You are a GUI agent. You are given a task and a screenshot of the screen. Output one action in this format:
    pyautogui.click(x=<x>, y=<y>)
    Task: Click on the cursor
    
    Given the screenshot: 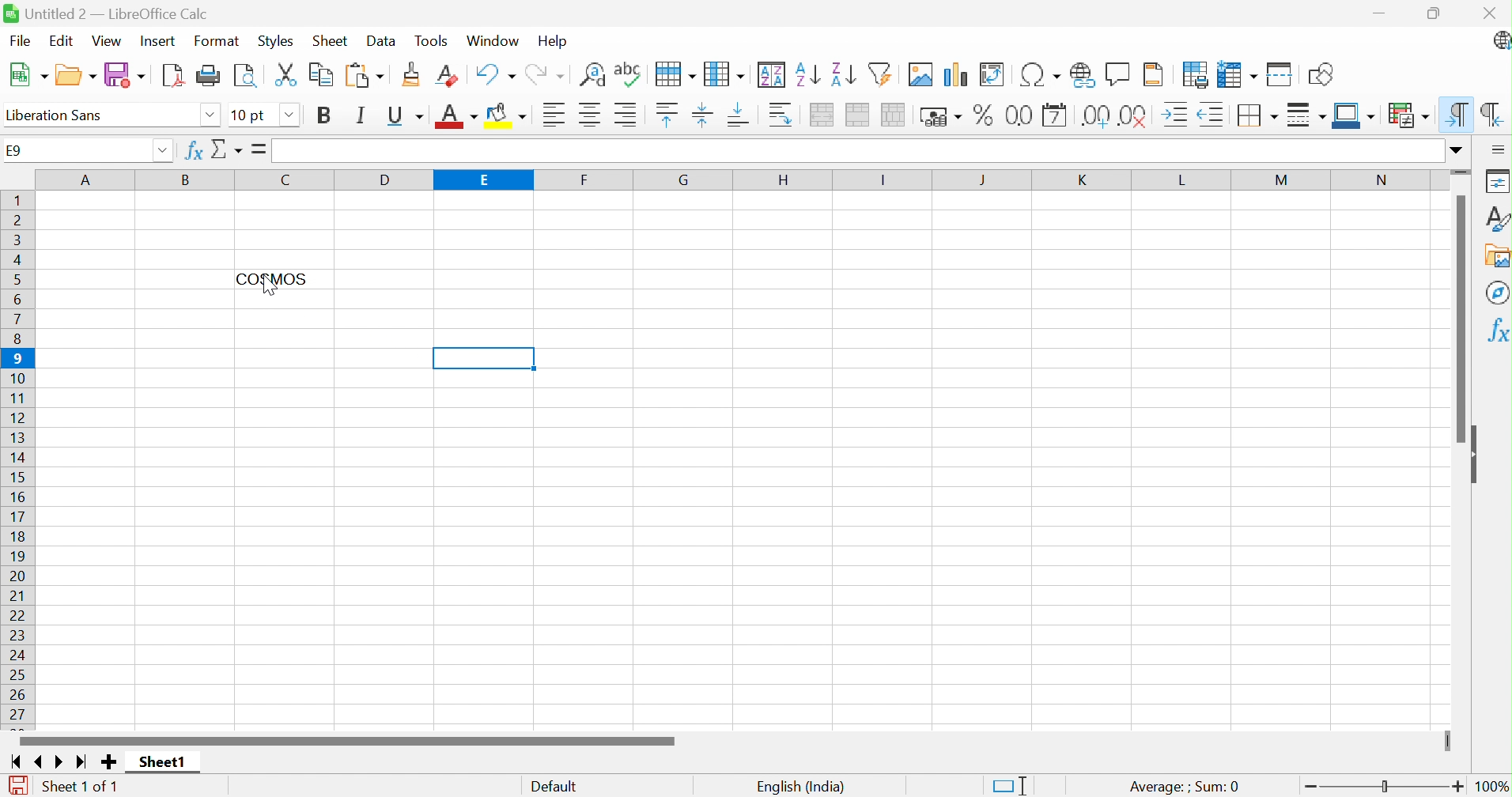 What is the action you would take?
    pyautogui.click(x=272, y=289)
    